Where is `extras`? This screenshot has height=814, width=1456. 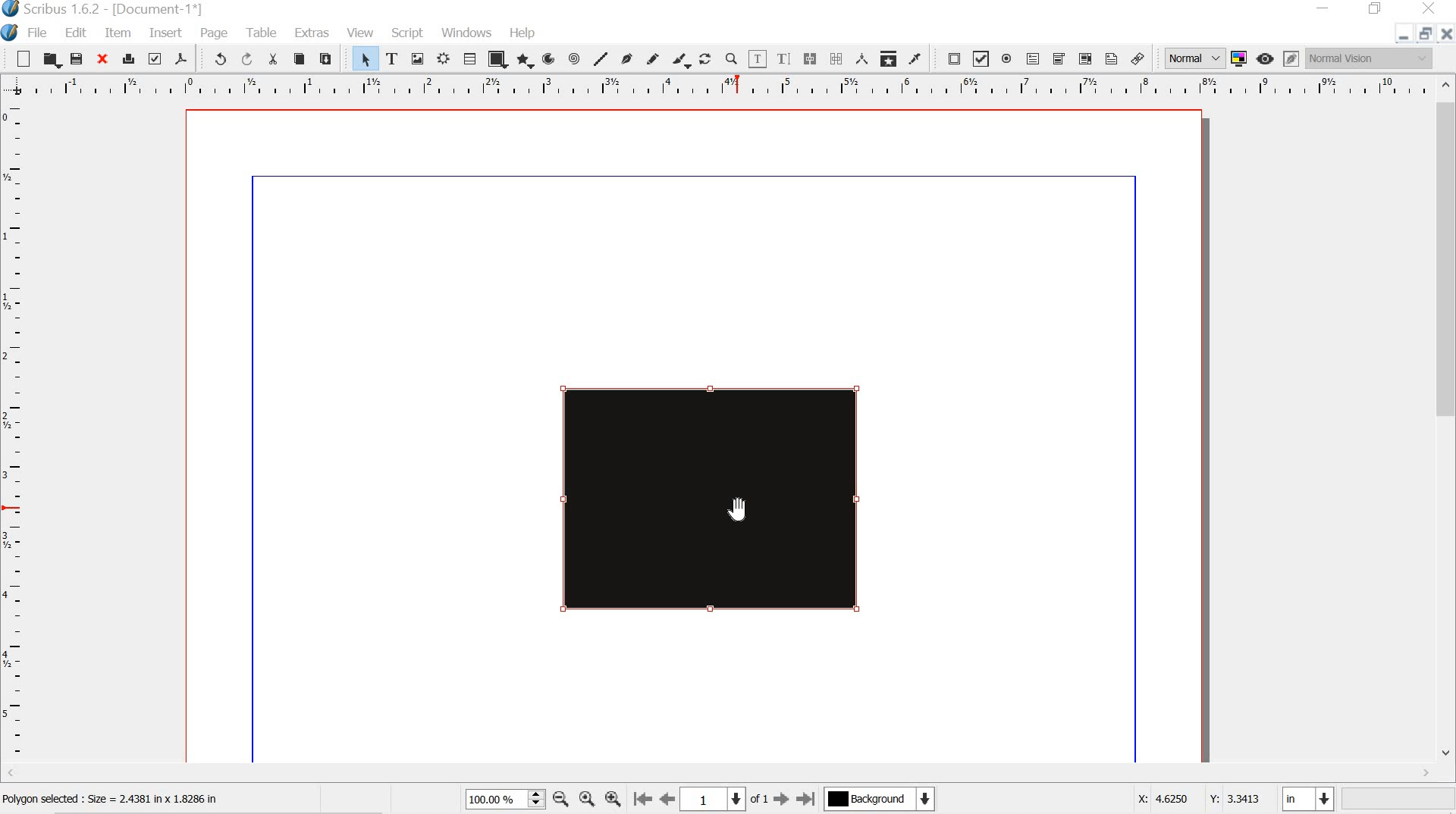 extras is located at coordinates (311, 33).